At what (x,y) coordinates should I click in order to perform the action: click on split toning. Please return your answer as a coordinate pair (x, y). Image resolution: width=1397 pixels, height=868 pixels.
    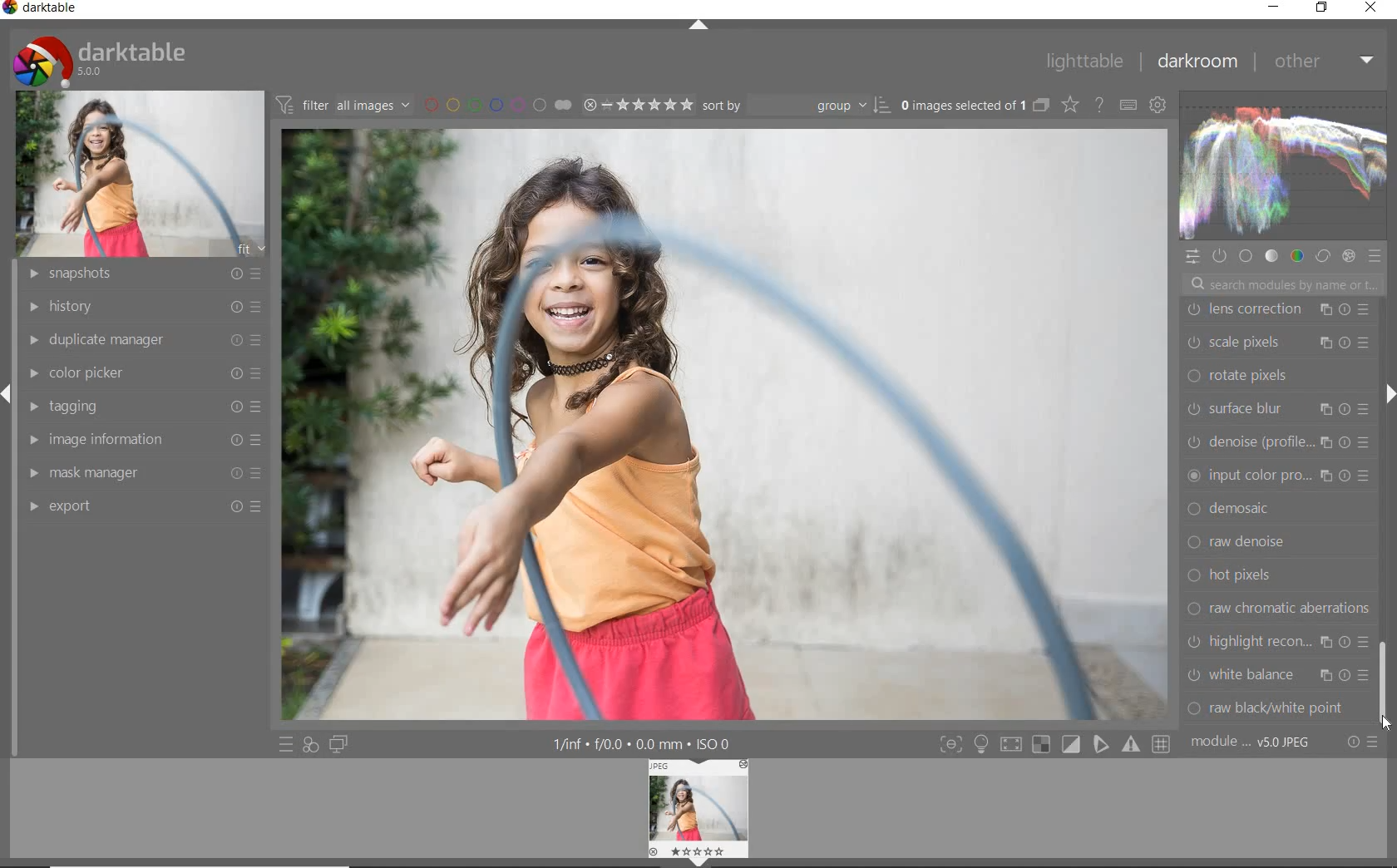
    Looking at the image, I should click on (1279, 513).